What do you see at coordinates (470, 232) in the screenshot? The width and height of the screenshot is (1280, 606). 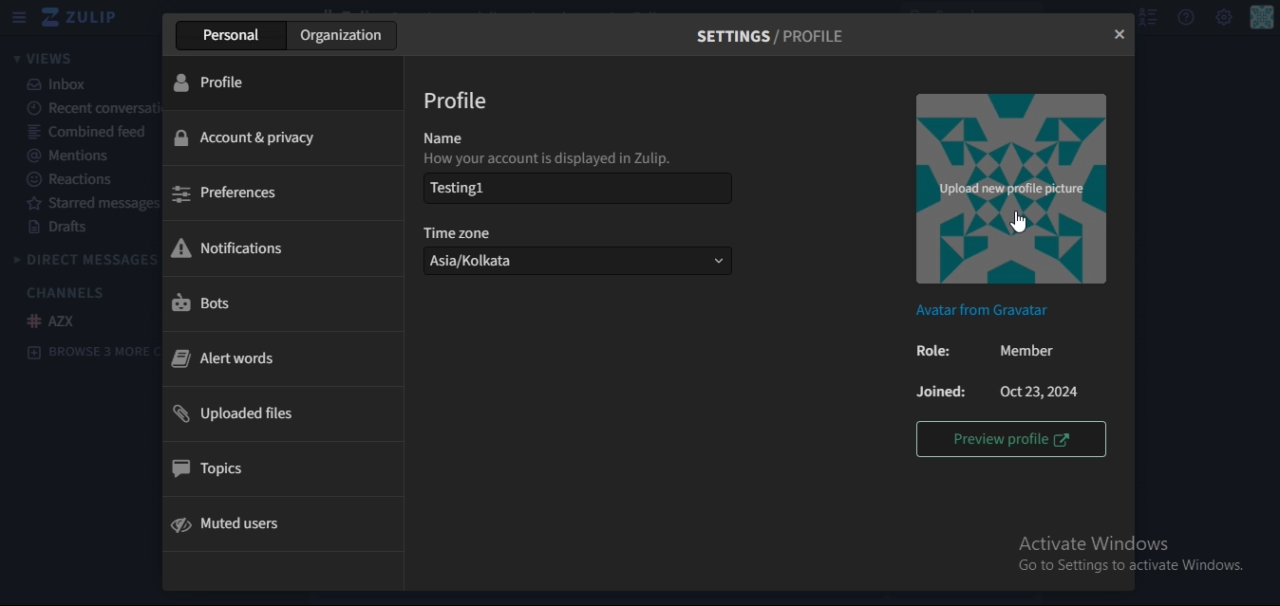 I see `time zone` at bounding box center [470, 232].